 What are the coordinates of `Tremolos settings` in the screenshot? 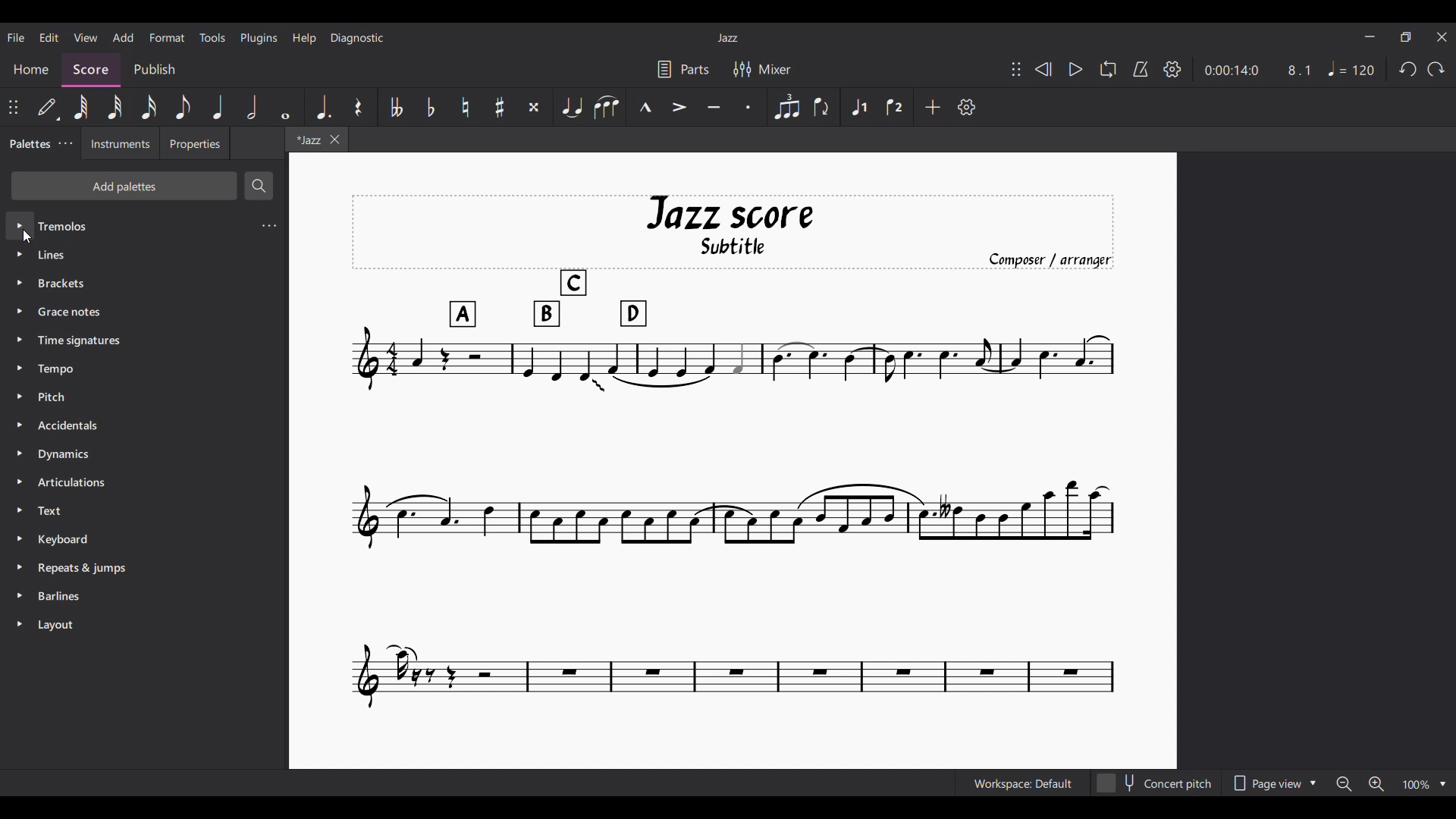 It's located at (269, 226).